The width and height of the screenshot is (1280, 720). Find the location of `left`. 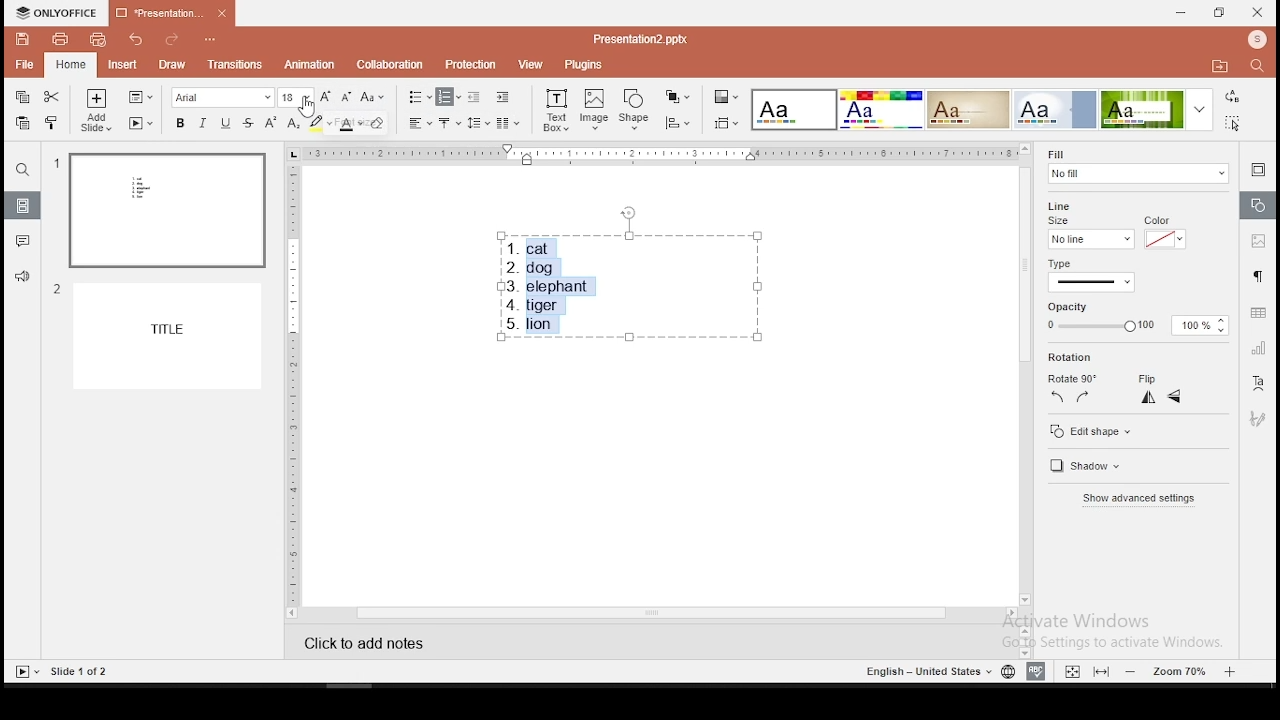

left is located at coordinates (1056, 399).